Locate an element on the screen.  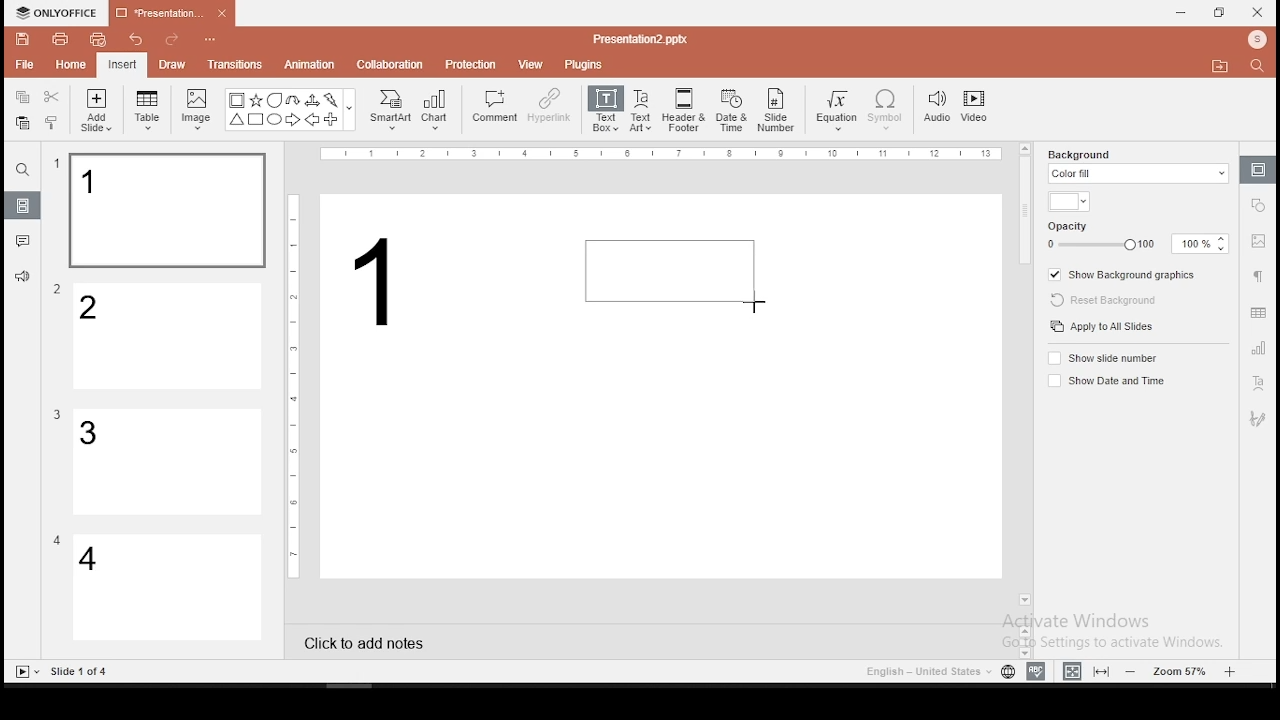
 is located at coordinates (81, 672).